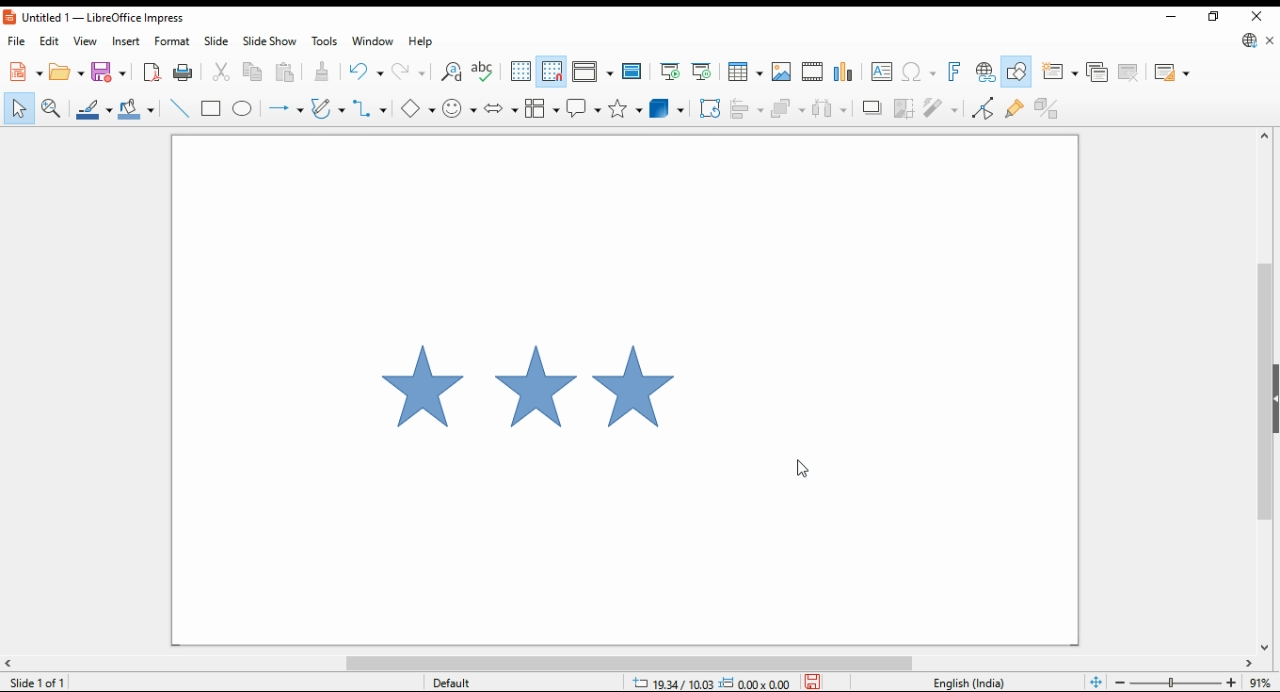 The image size is (1280, 692). Describe the element at coordinates (48, 40) in the screenshot. I see `edit` at that location.